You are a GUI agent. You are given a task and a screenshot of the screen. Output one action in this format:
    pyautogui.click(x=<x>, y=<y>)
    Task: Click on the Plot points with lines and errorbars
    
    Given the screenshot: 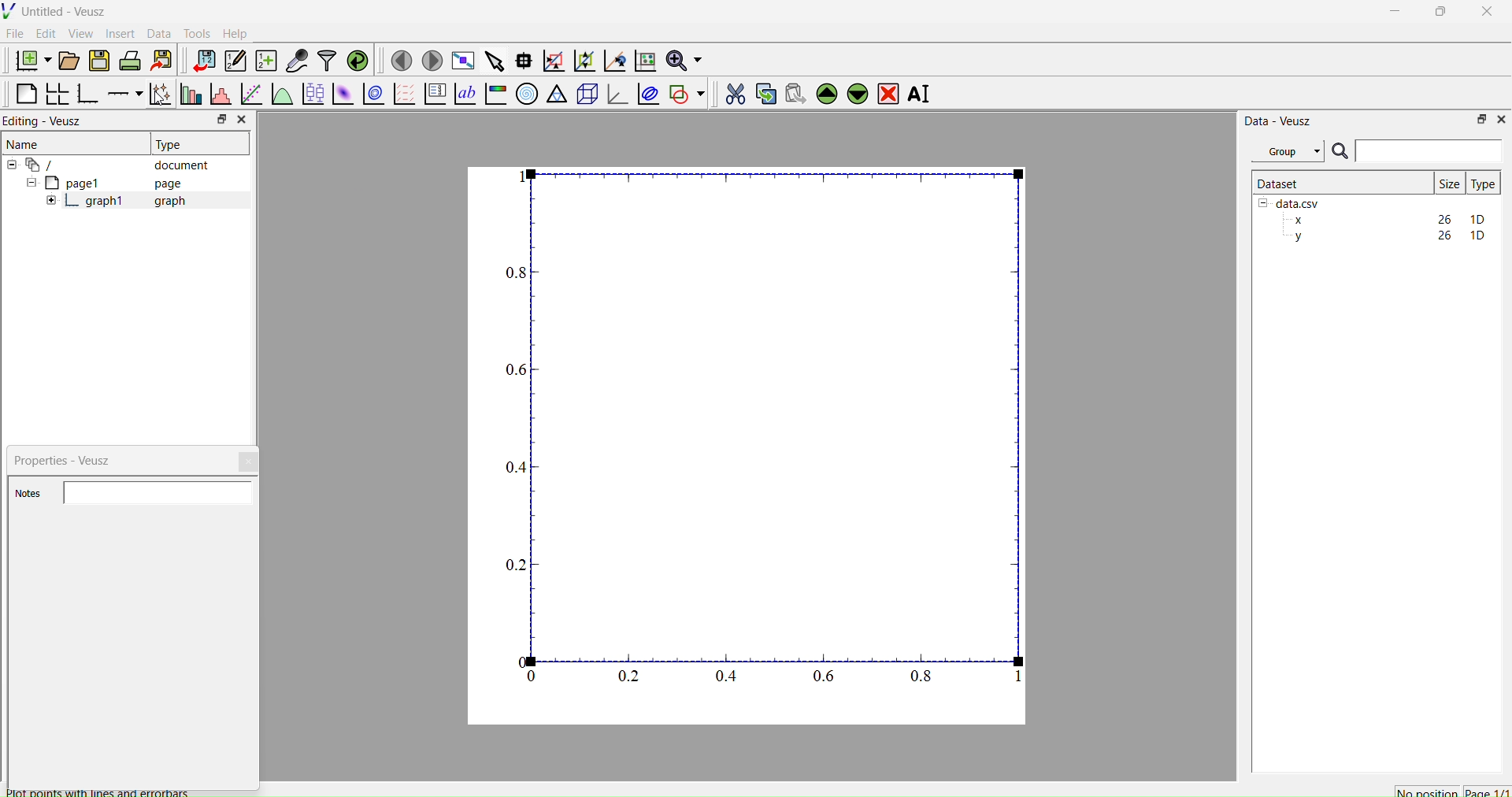 What is the action you would take?
    pyautogui.click(x=158, y=94)
    